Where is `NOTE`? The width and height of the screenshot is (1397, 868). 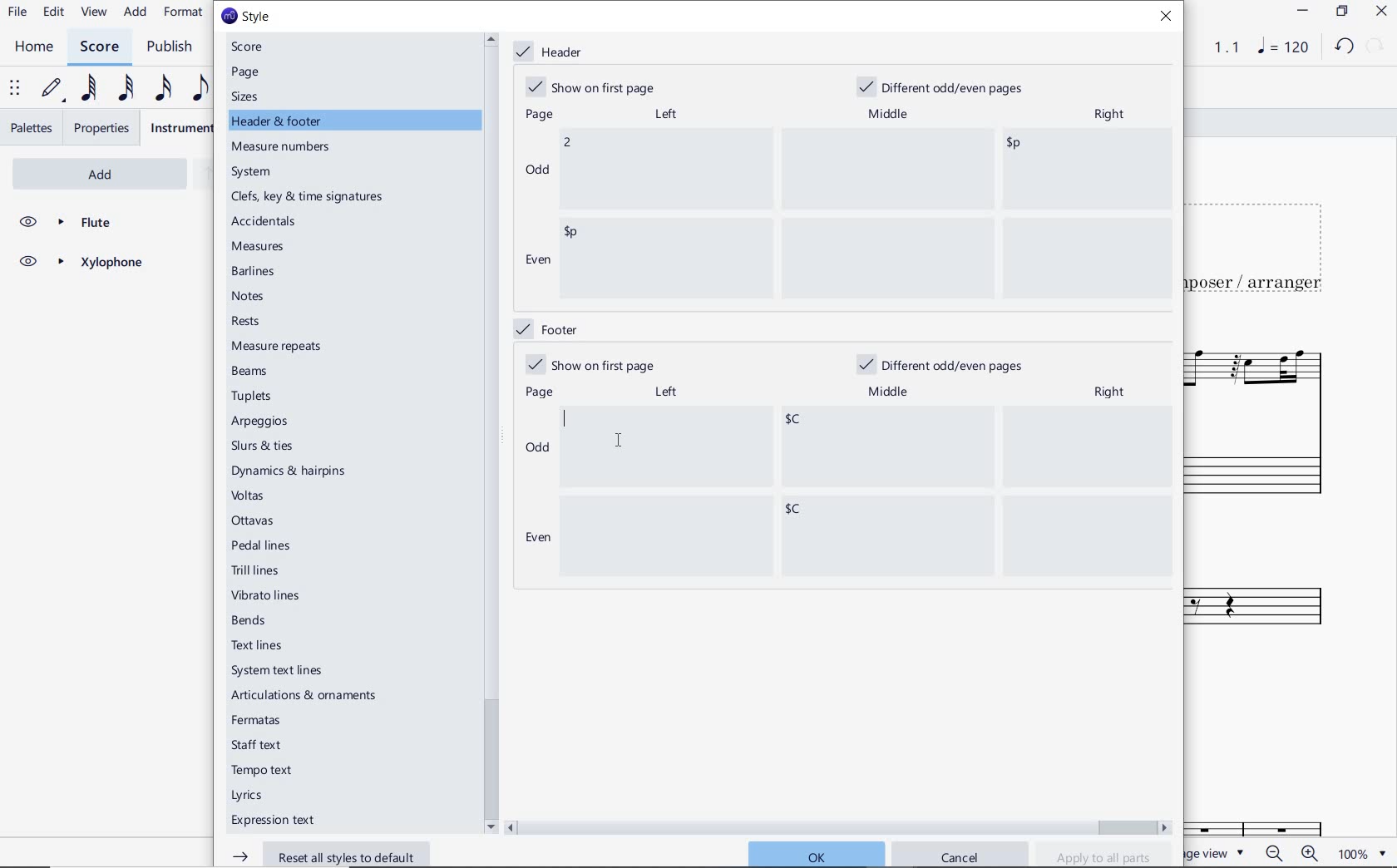 NOTE is located at coordinates (1281, 48).